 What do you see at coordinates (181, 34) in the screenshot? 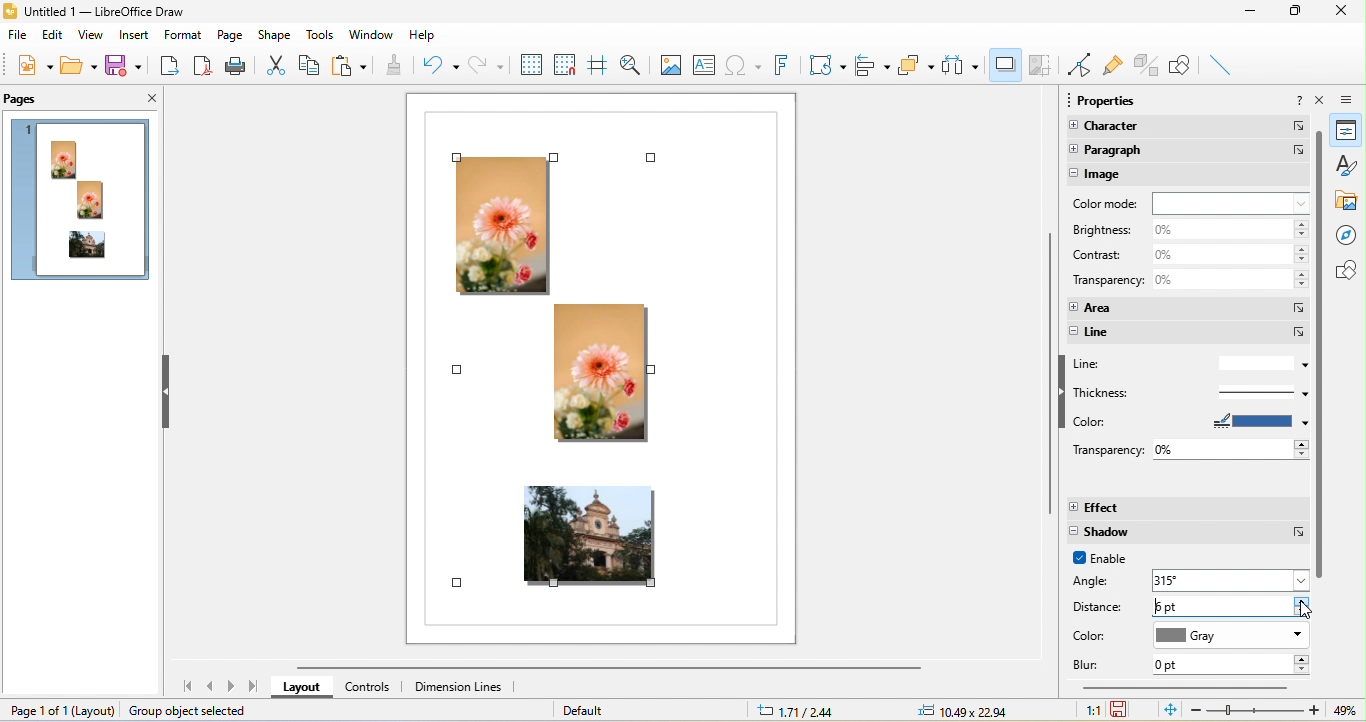
I see `format` at bounding box center [181, 34].